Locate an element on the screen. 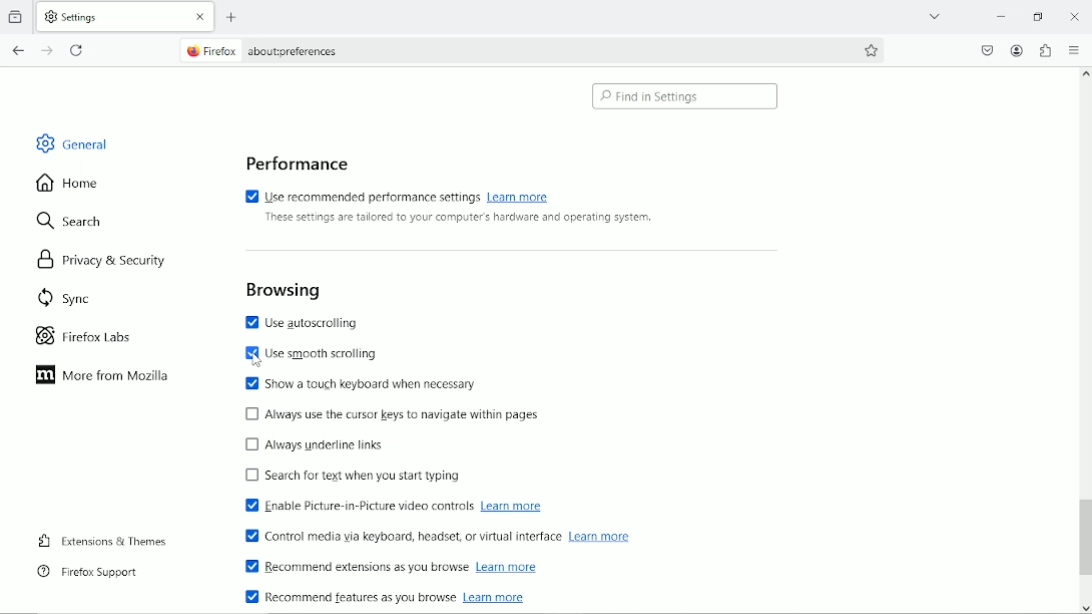 This screenshot has width=1092, height=614. Close is located at coordinates (1075, 16).